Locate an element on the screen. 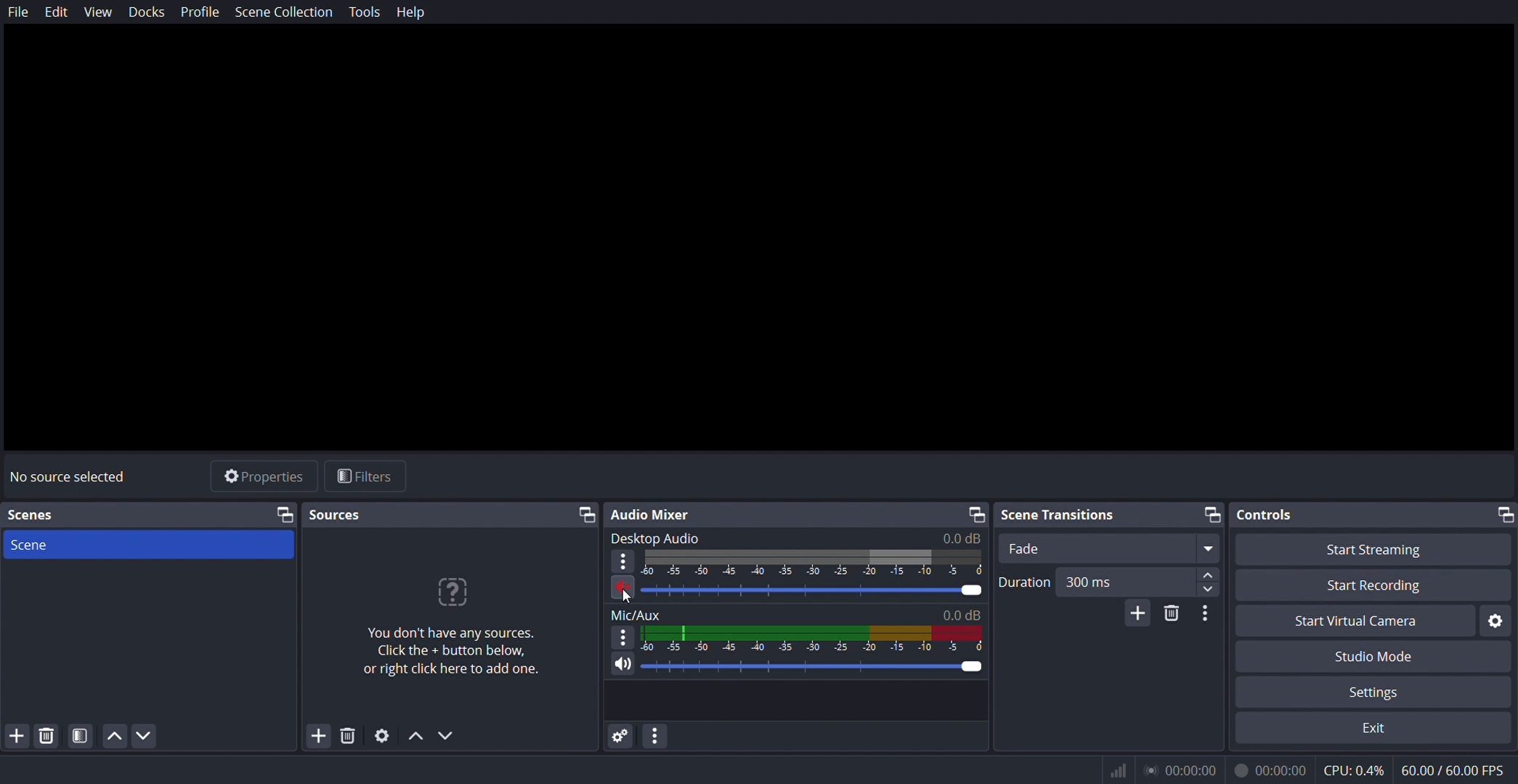 The height and width of the screenshot is (784, 1518). delete scene transitions is located at coordinates (1170, 613).